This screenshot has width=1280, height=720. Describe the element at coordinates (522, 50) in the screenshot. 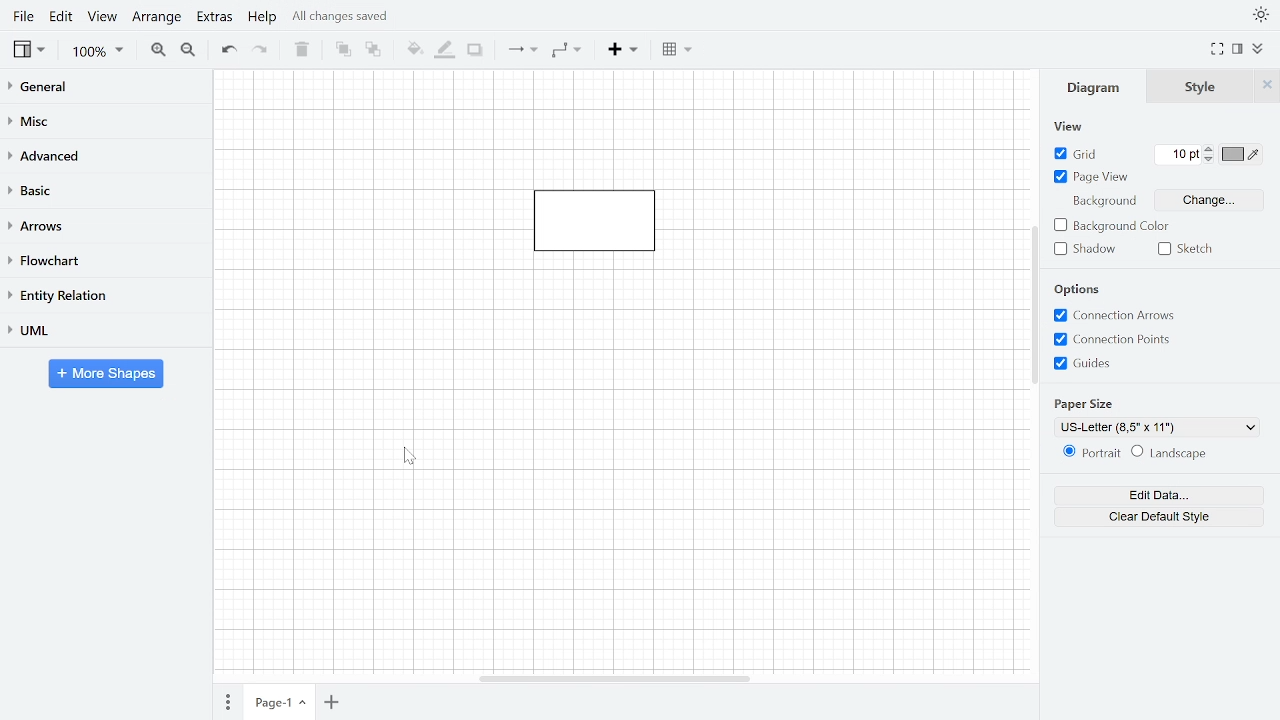

I see `Connection` at that location.